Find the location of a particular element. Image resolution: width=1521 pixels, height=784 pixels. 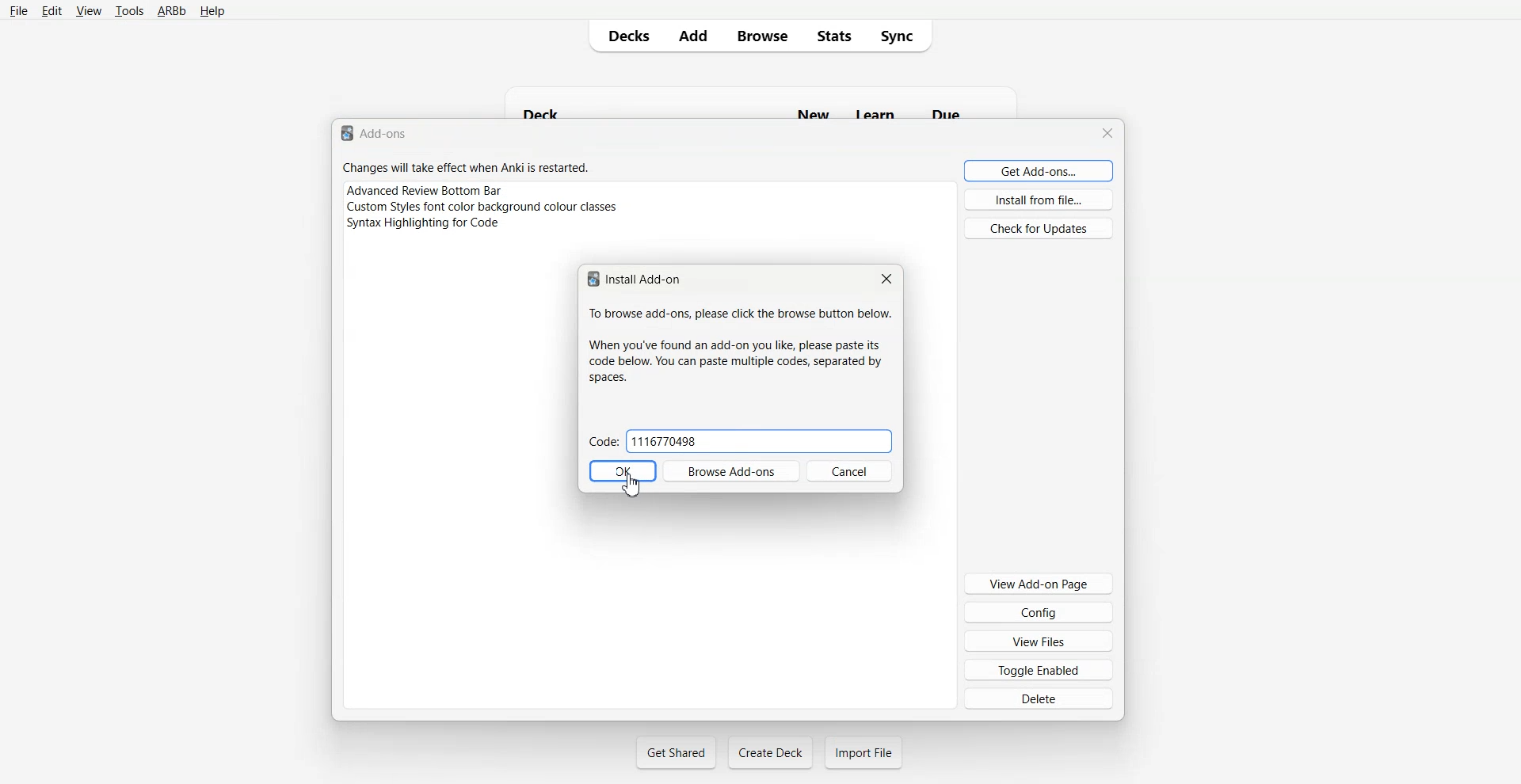

Close is located at coordinates (886, 278).